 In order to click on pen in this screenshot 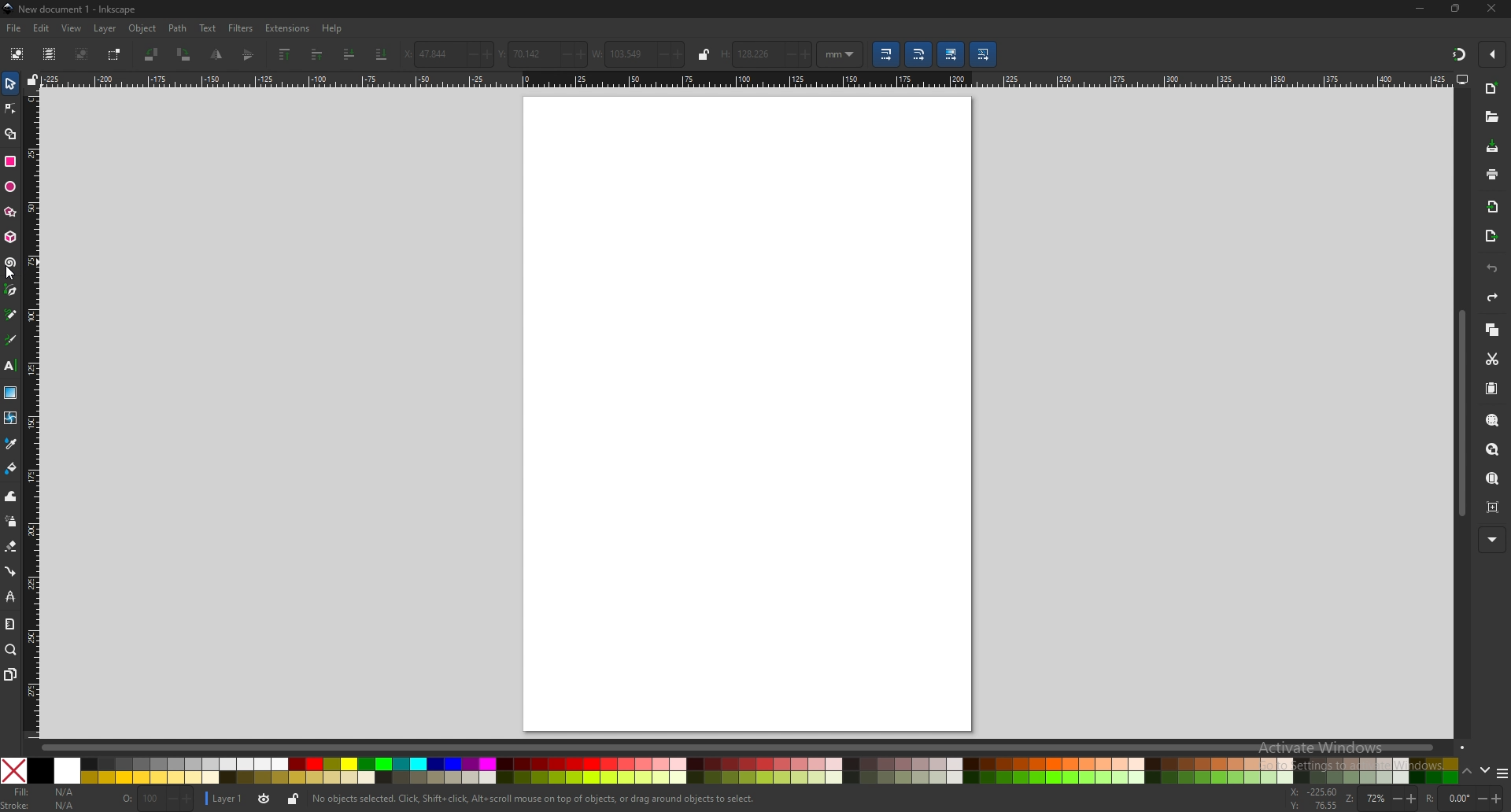, I will do `click(10, 290)`.